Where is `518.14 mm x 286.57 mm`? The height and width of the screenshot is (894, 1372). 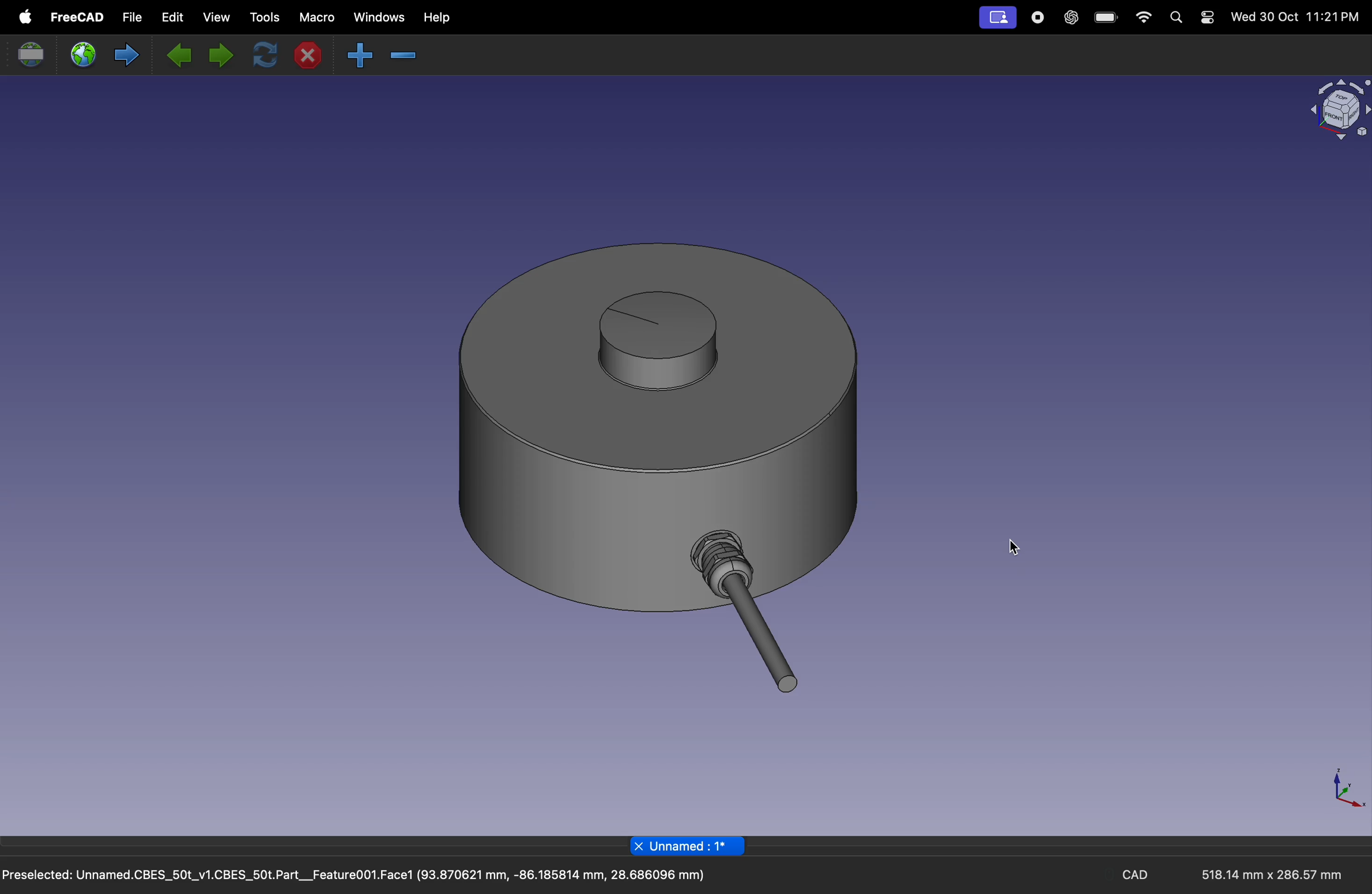
518.14 mm x 286.57 mm is located at coordinates (1262, 874).